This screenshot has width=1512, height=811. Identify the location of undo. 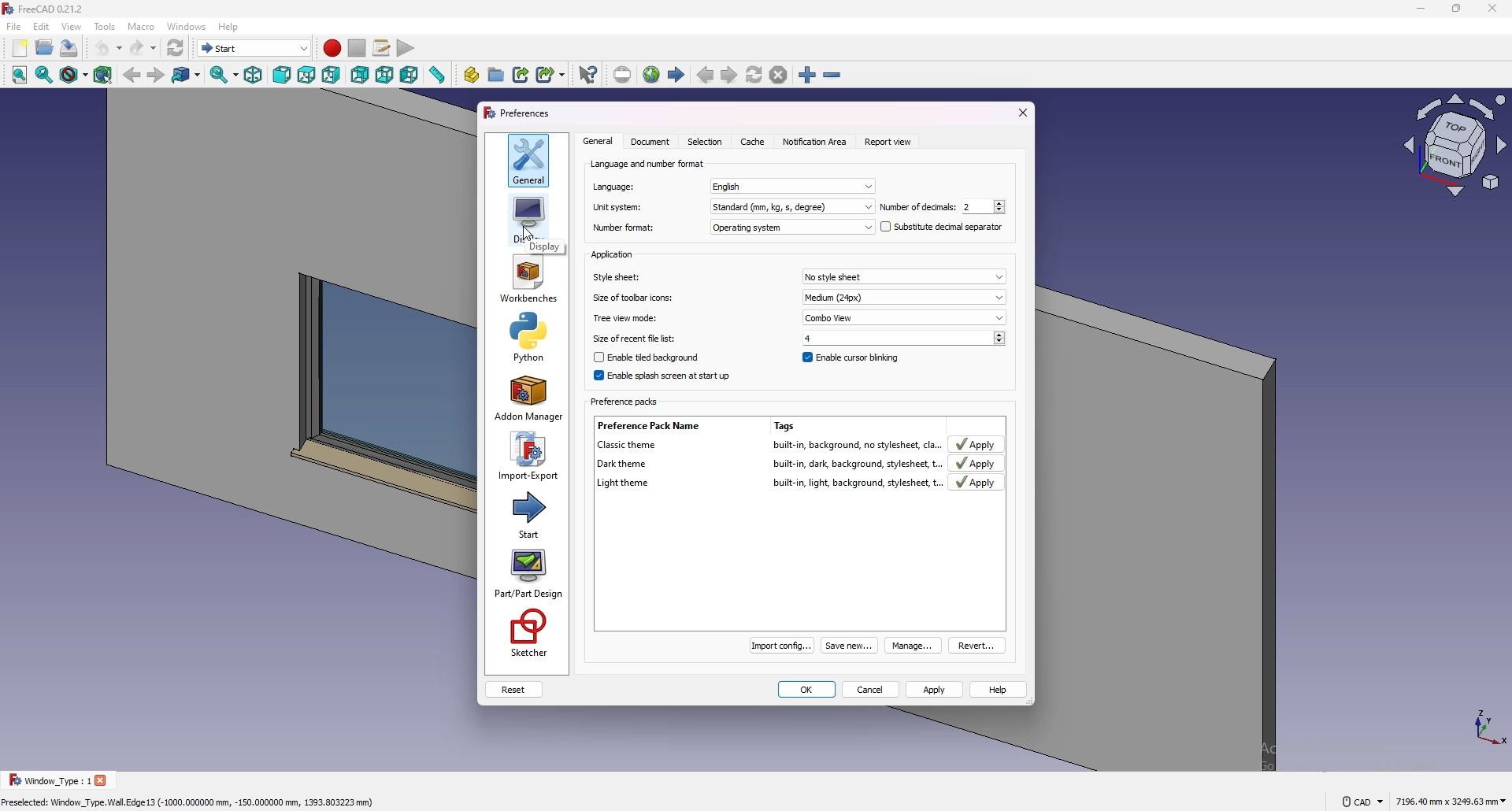
(108, 48).